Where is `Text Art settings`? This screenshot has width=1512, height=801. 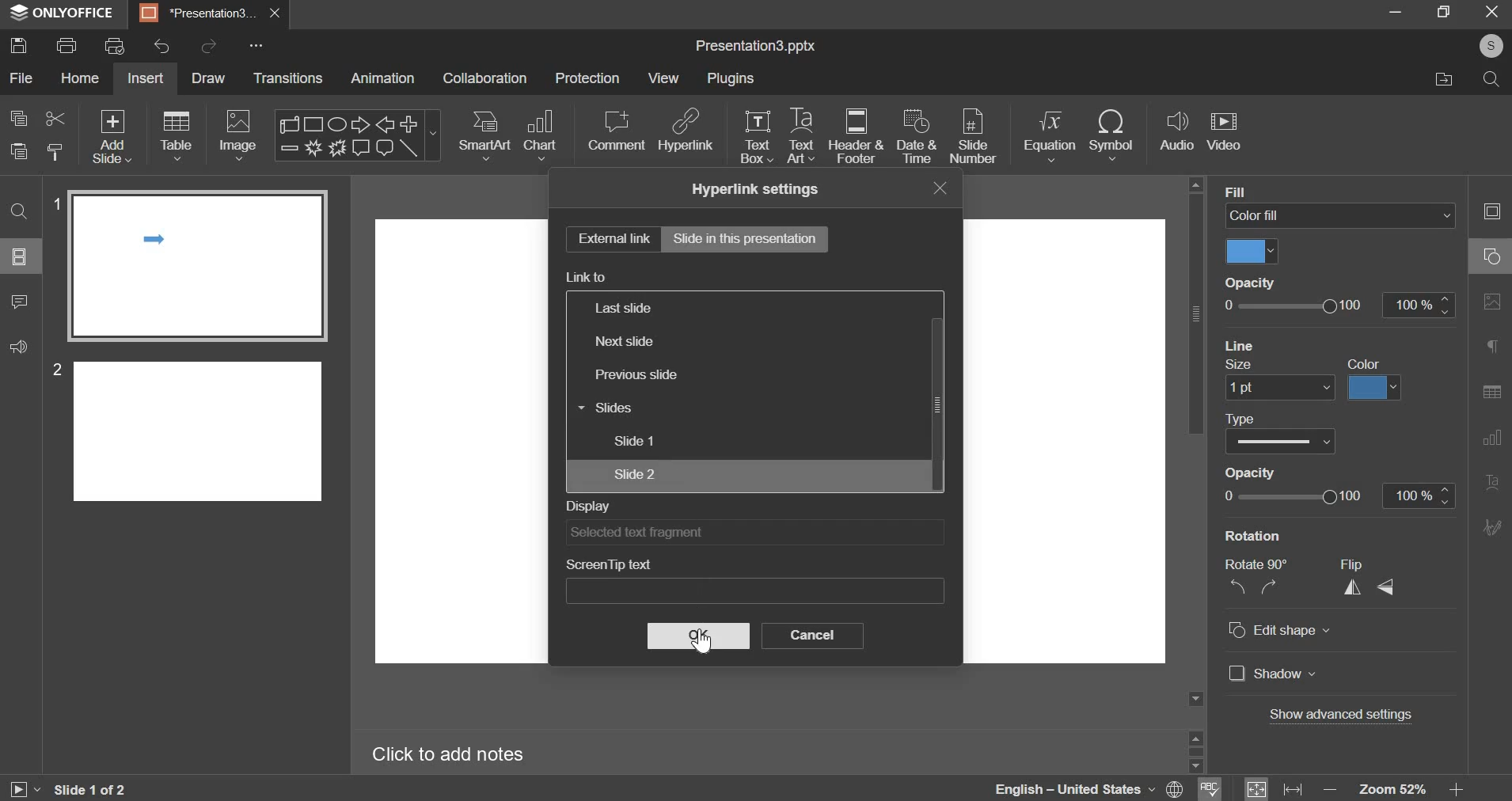 Text Art settings is located at coordinates (1492, 483).